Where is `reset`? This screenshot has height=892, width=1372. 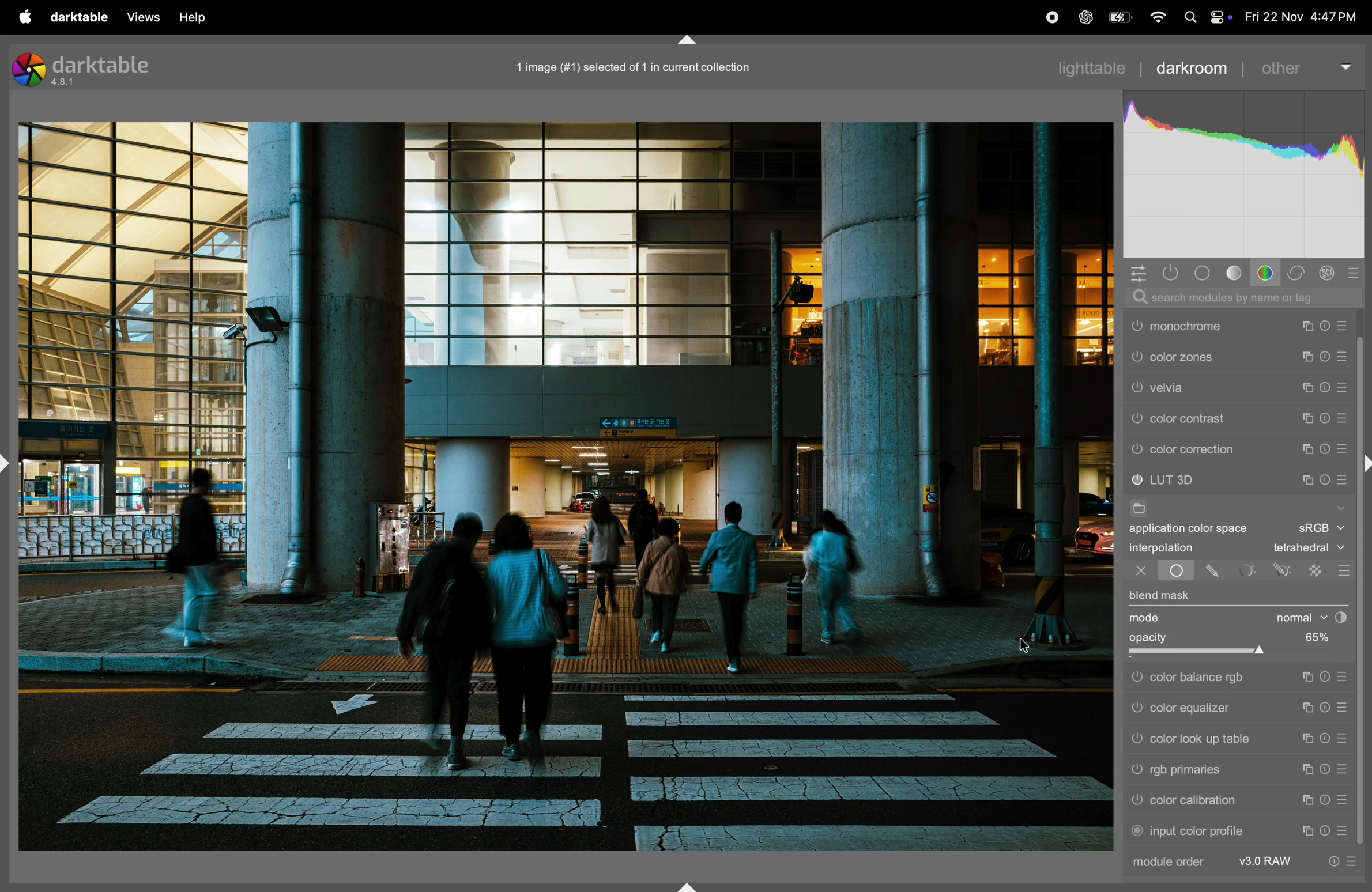 reset is located at coordinates (1328, 802).